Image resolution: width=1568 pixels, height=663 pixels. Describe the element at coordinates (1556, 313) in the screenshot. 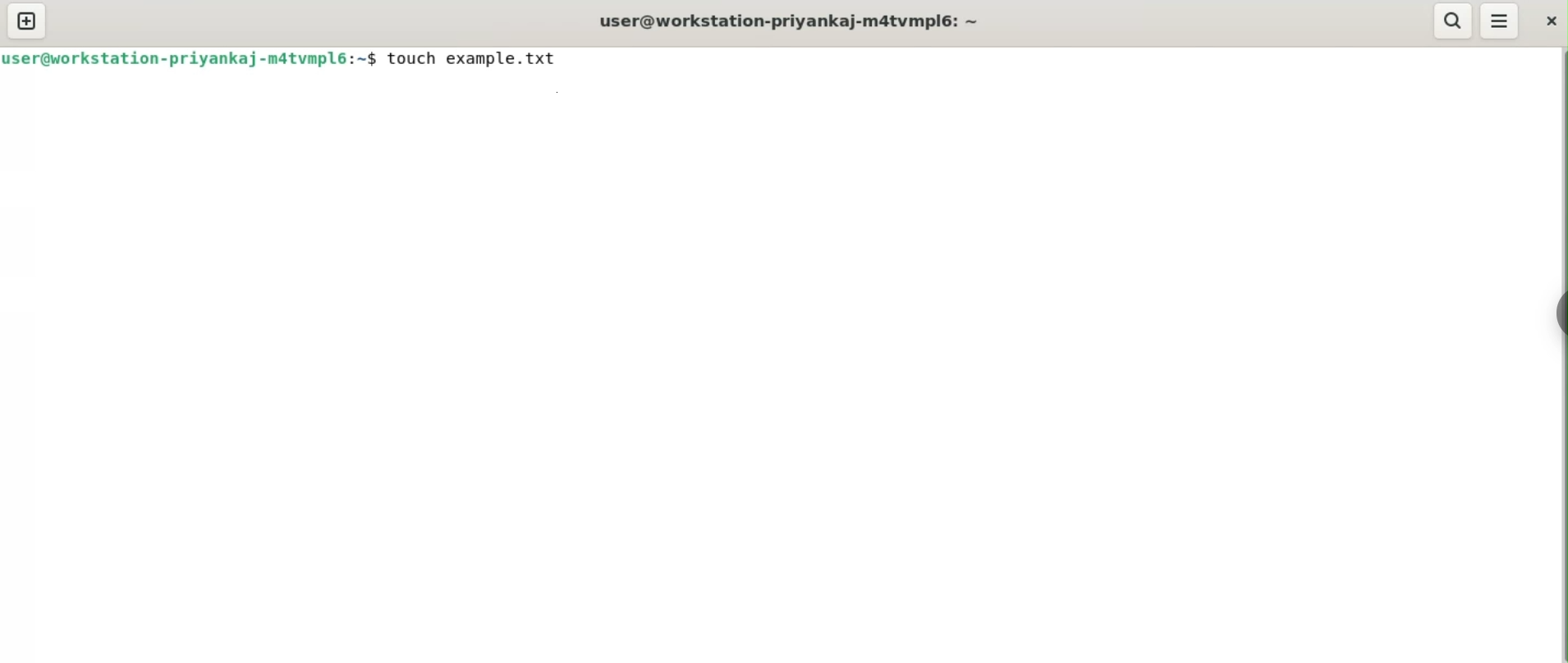

I see `sidebar` at that location.